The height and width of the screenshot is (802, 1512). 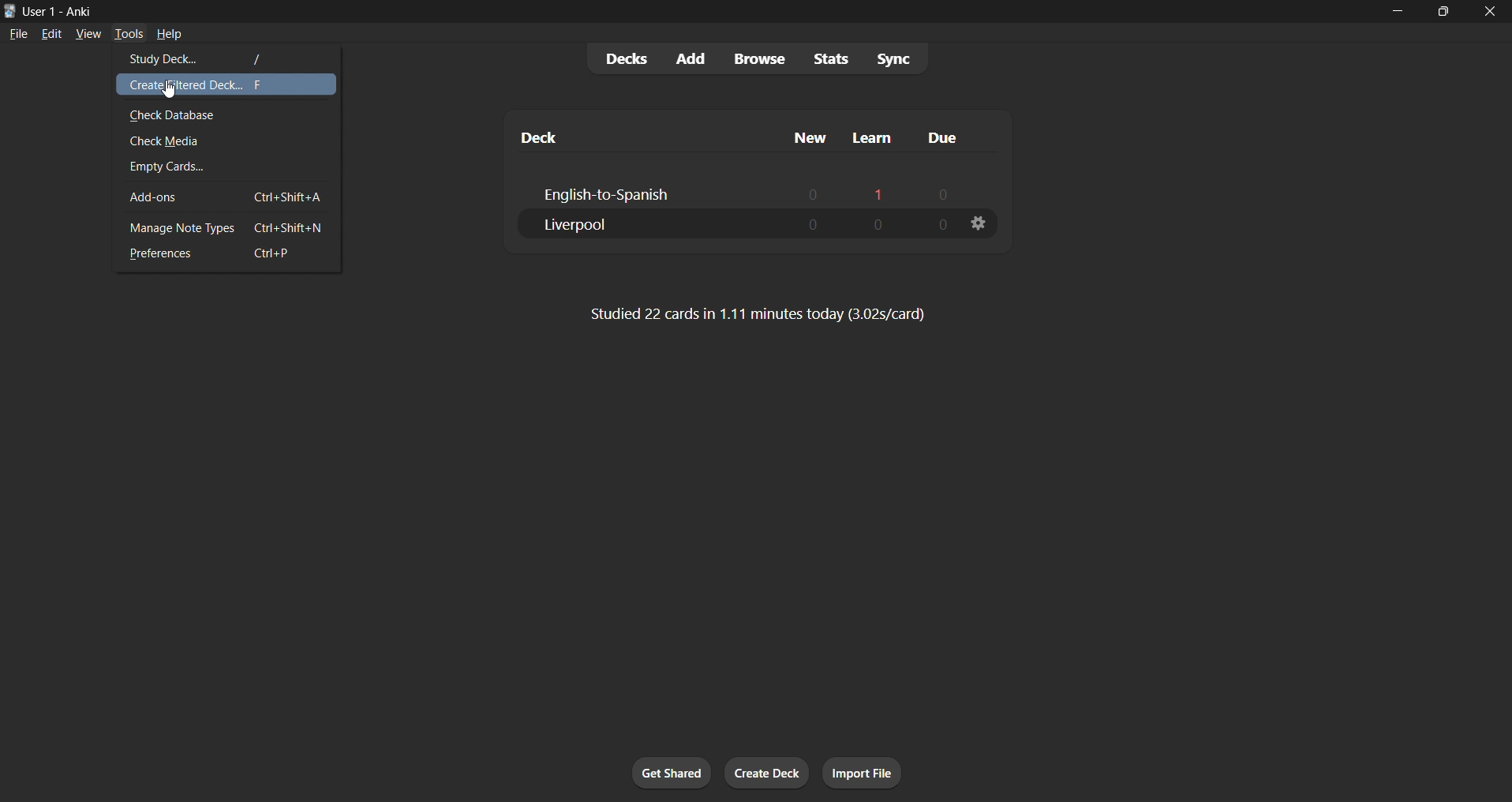 What do you see at coordinates (224, 141) in the screenshot?
I see `check media` at bounding box center [224, 141].